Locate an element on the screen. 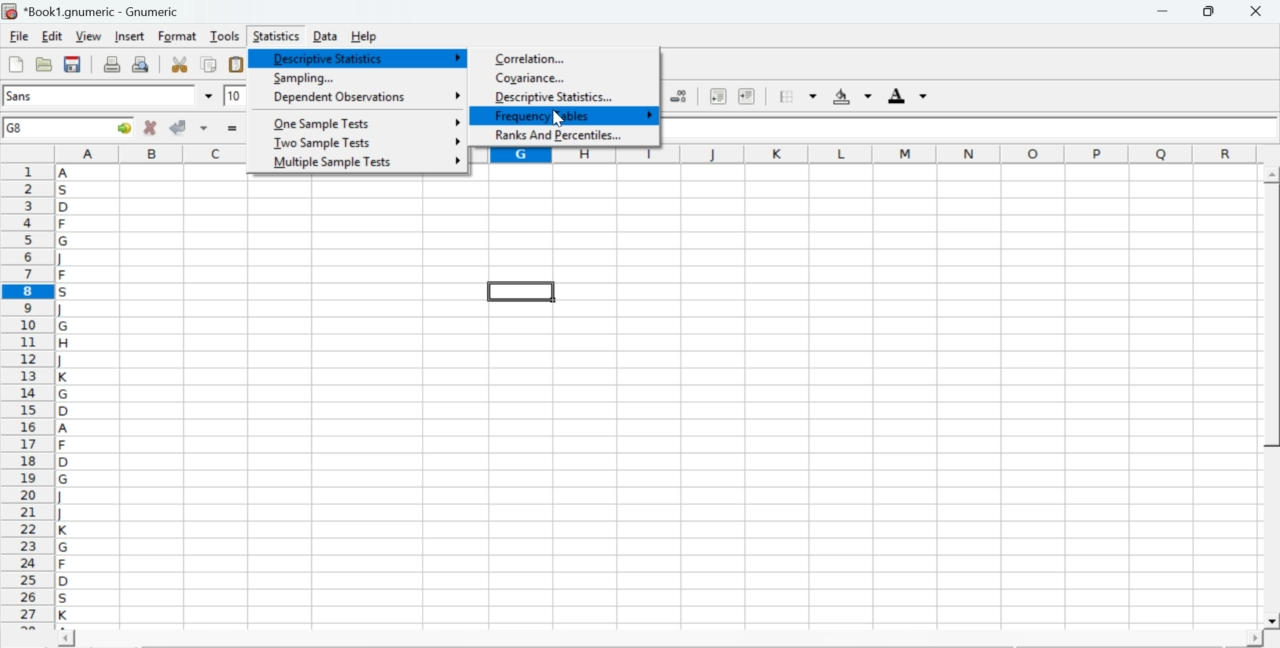 The image size is (1280, 648). minimize is located at coordinates (1164, 11).